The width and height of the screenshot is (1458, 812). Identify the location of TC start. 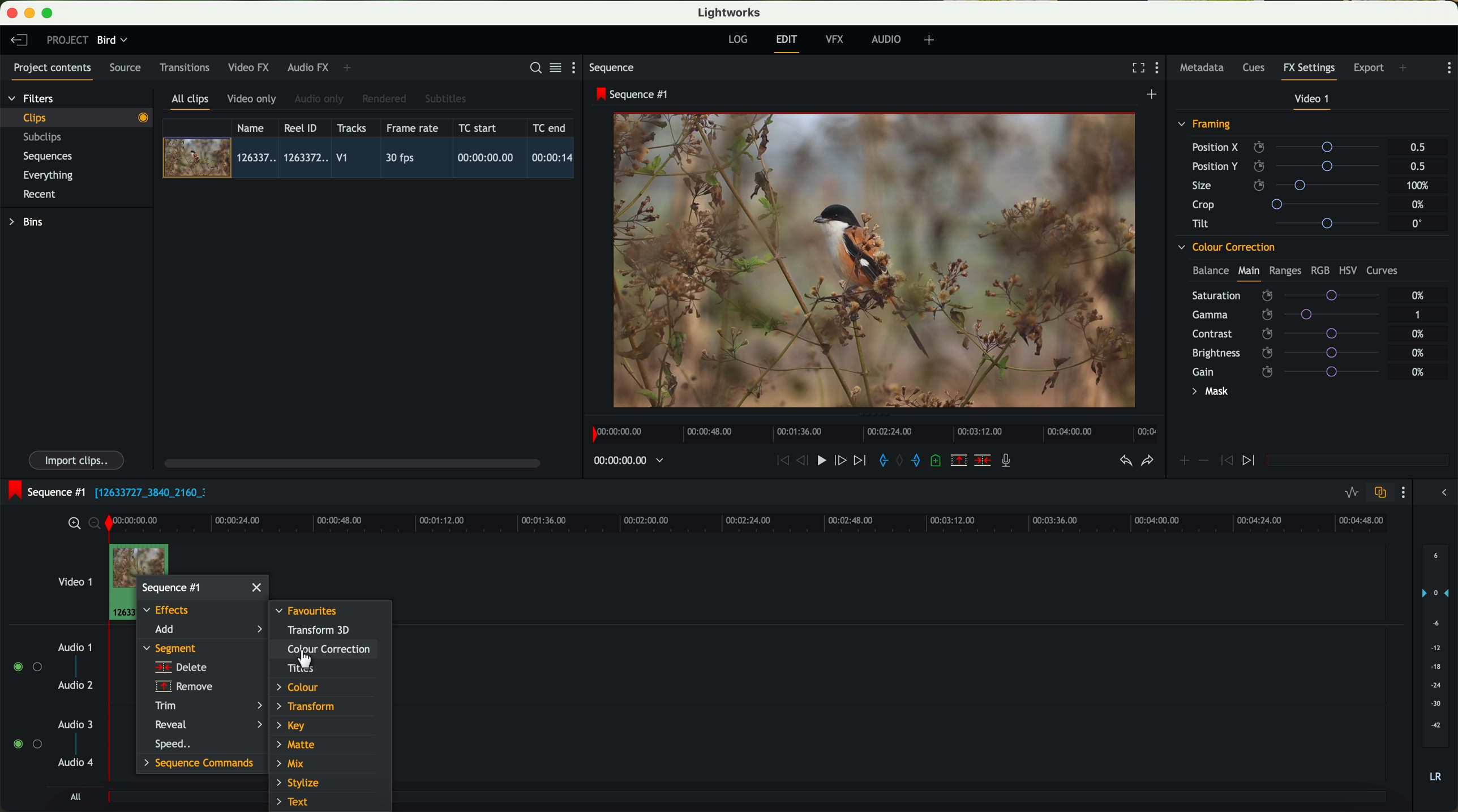
(479, 127).